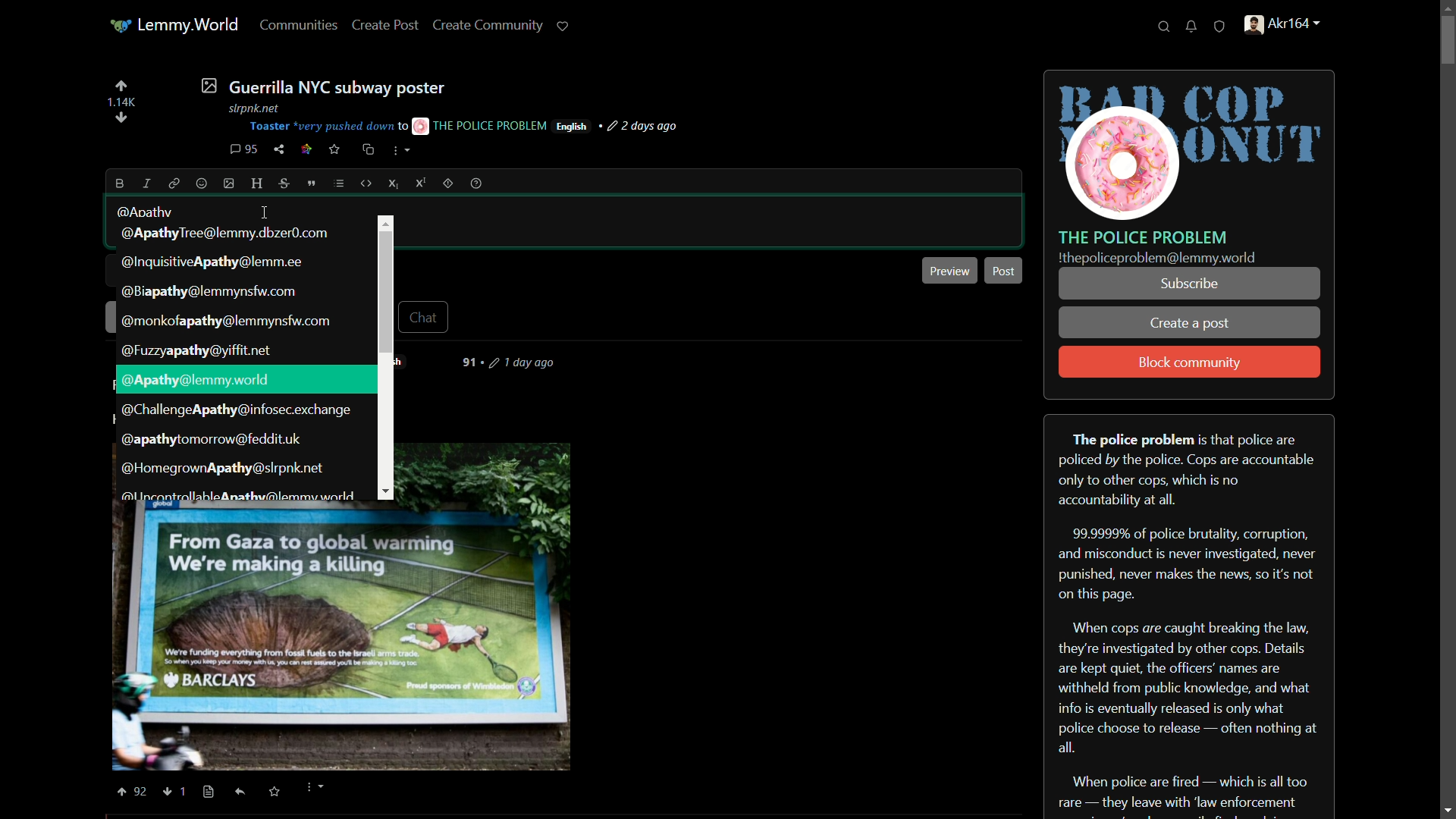 This screenshot has width=1456, height=819. I want to click on @Apathy, so click(146, 212).